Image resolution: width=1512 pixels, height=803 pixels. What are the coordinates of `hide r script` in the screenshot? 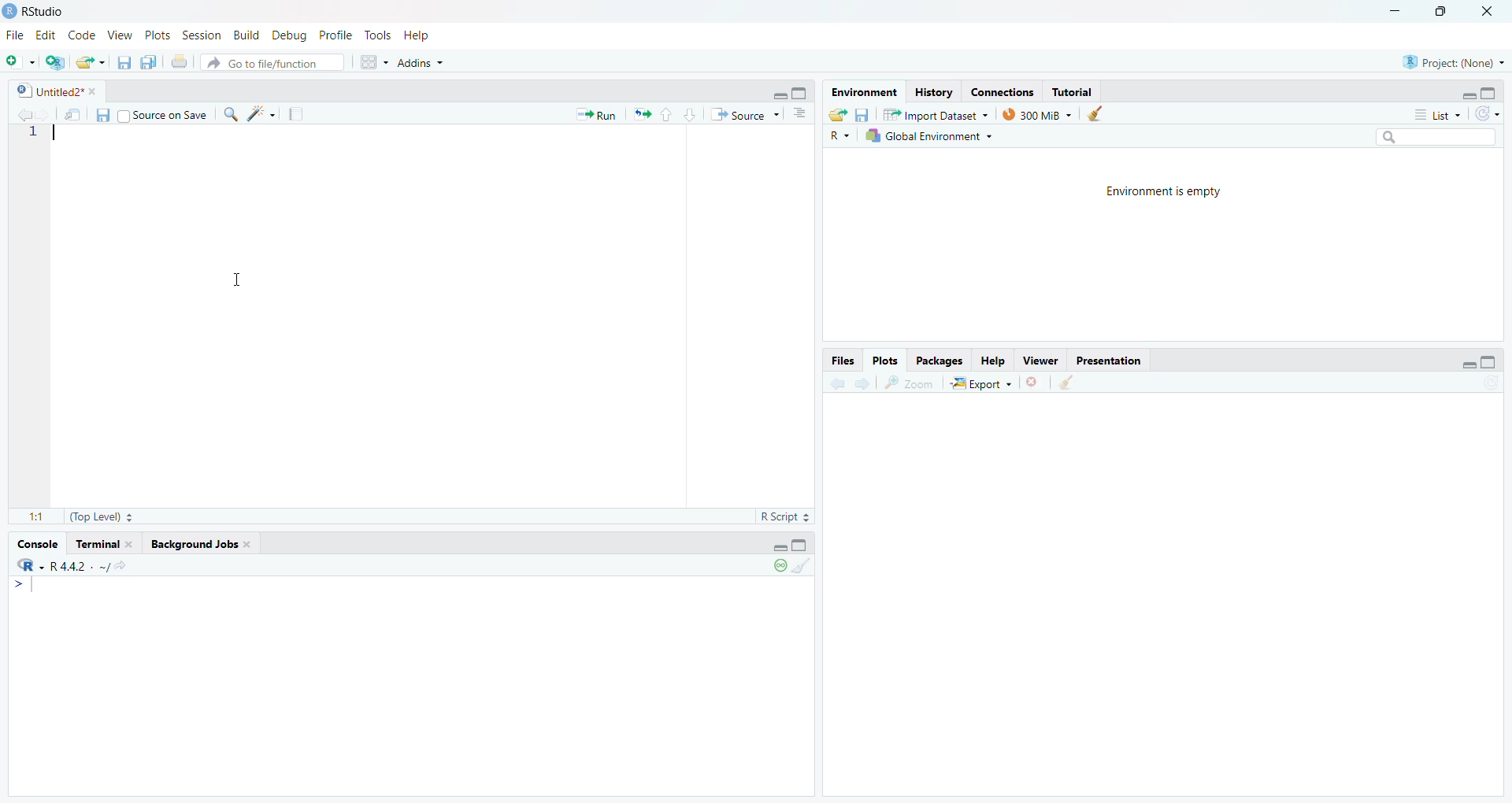 It's located at (778, 94).